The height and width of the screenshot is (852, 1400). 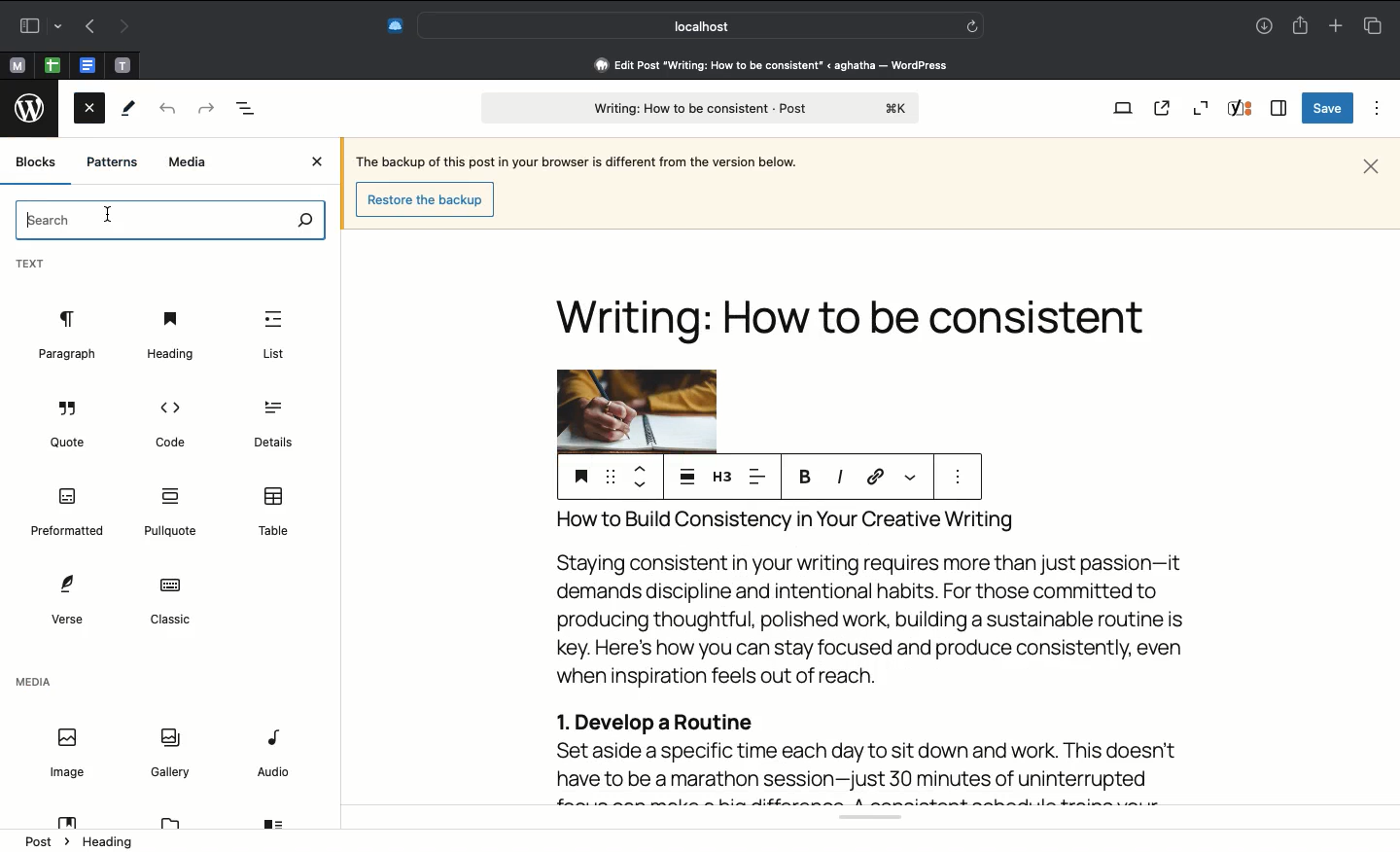 What do you see at coordinates (165, 110) in the screenshot?
I see `Back` at bounding box center [165, 110].